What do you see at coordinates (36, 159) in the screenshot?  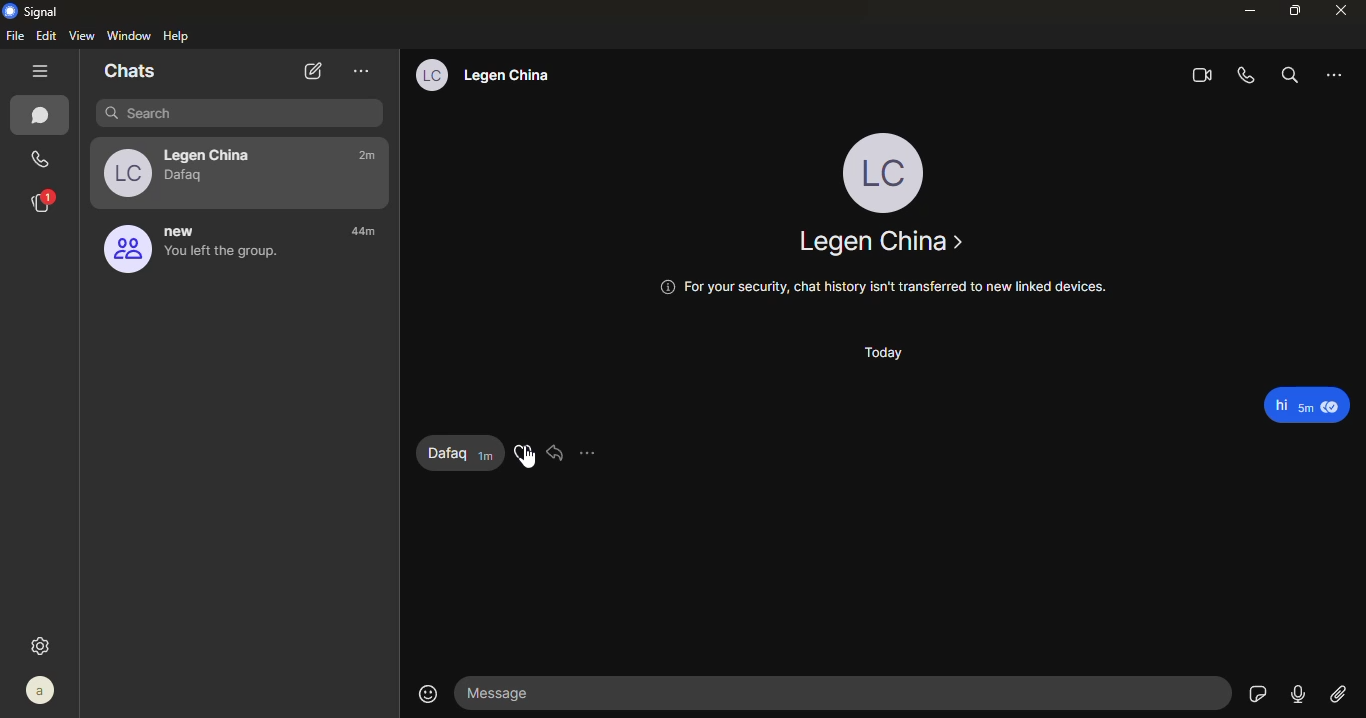 I see `calls` at bounding box center [36, 159].